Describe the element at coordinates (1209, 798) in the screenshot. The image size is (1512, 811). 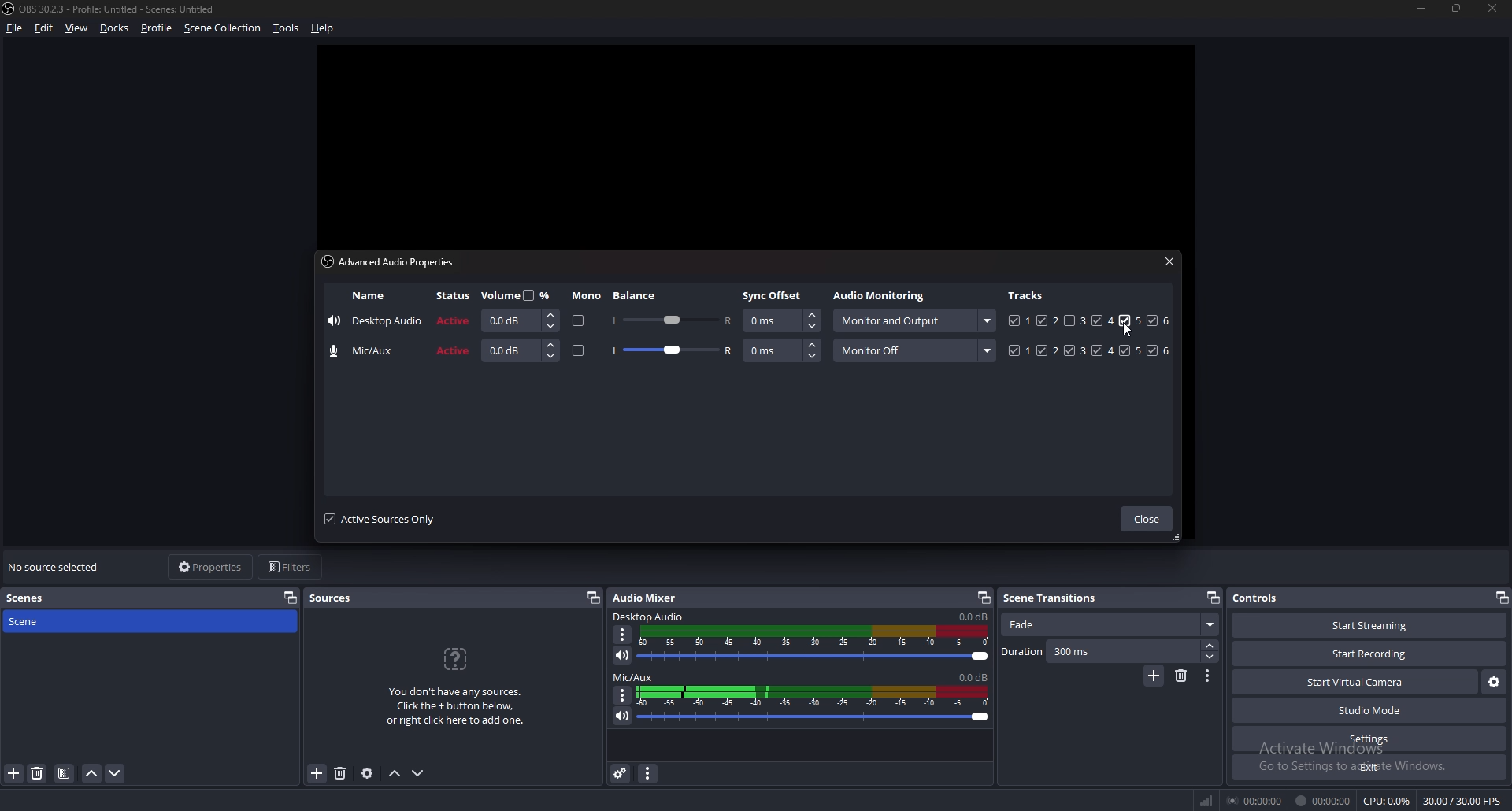
I see `network` at that location.